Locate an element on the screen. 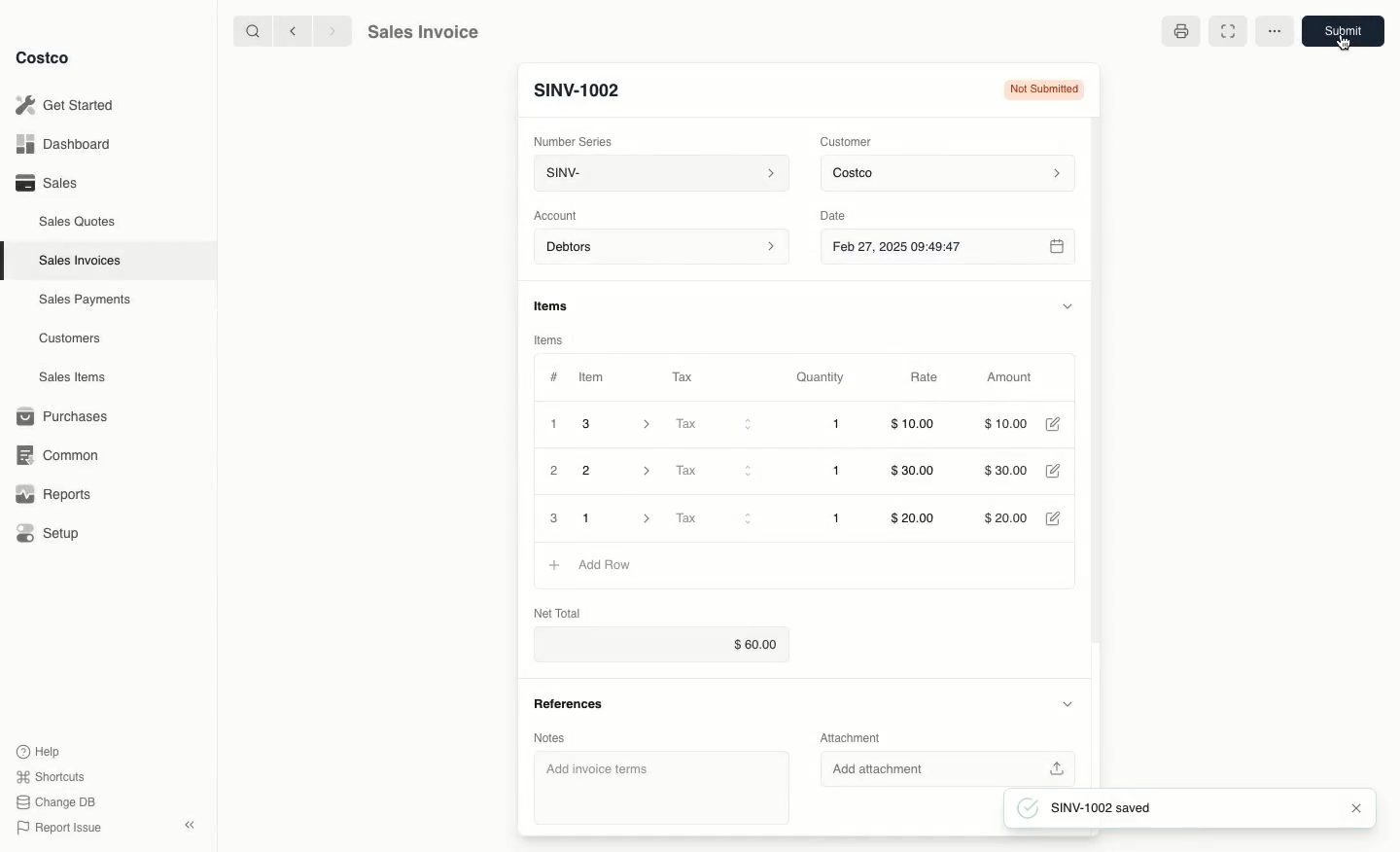  Customer is located at coordinates (847, 140).